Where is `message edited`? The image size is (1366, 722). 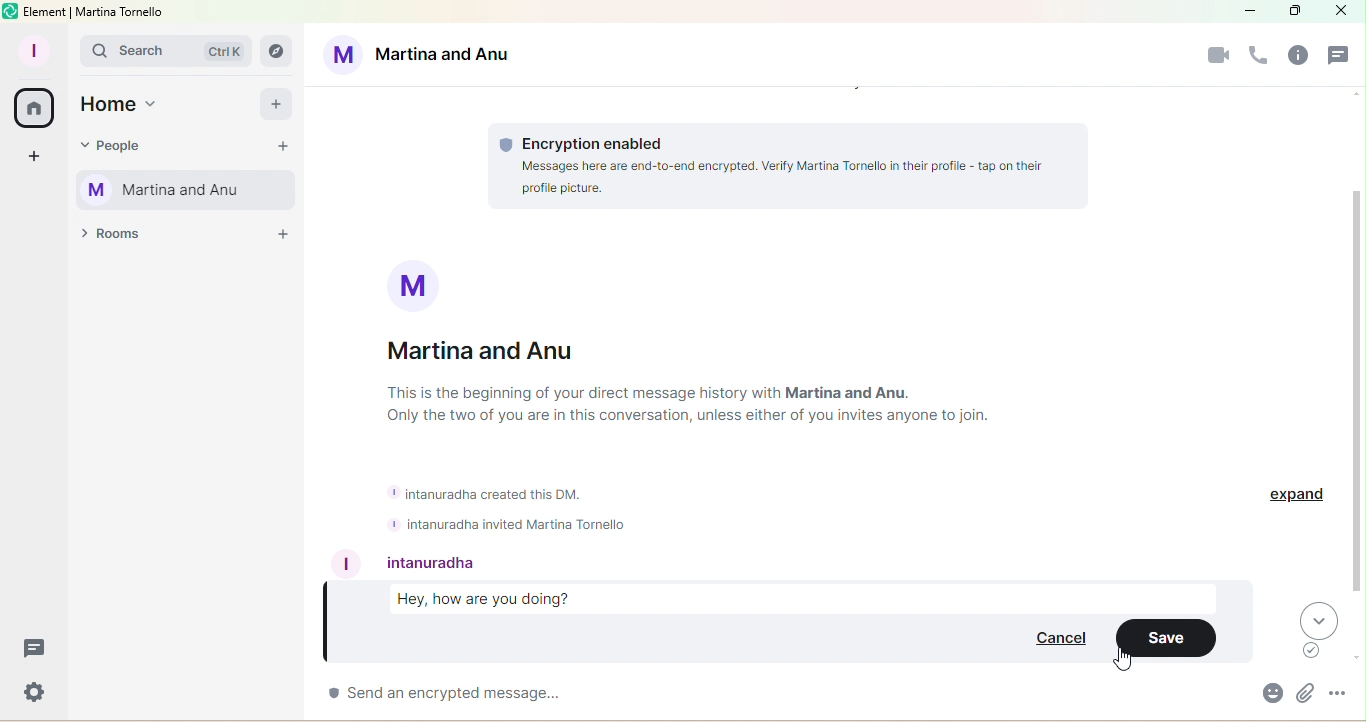
message edited is located at coordinates (799, 596).